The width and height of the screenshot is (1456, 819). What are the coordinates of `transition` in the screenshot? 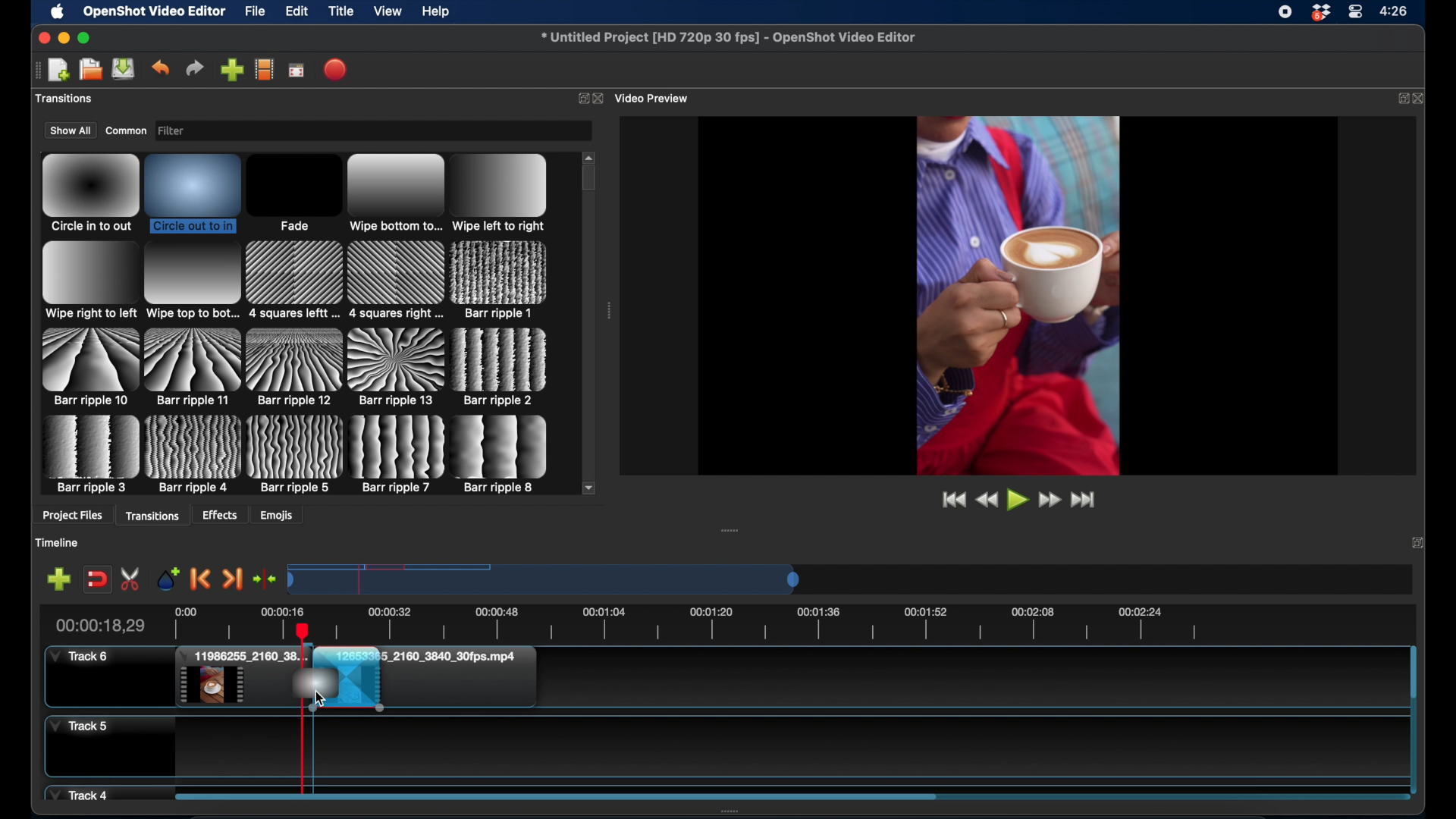 It's located at (193, 366).